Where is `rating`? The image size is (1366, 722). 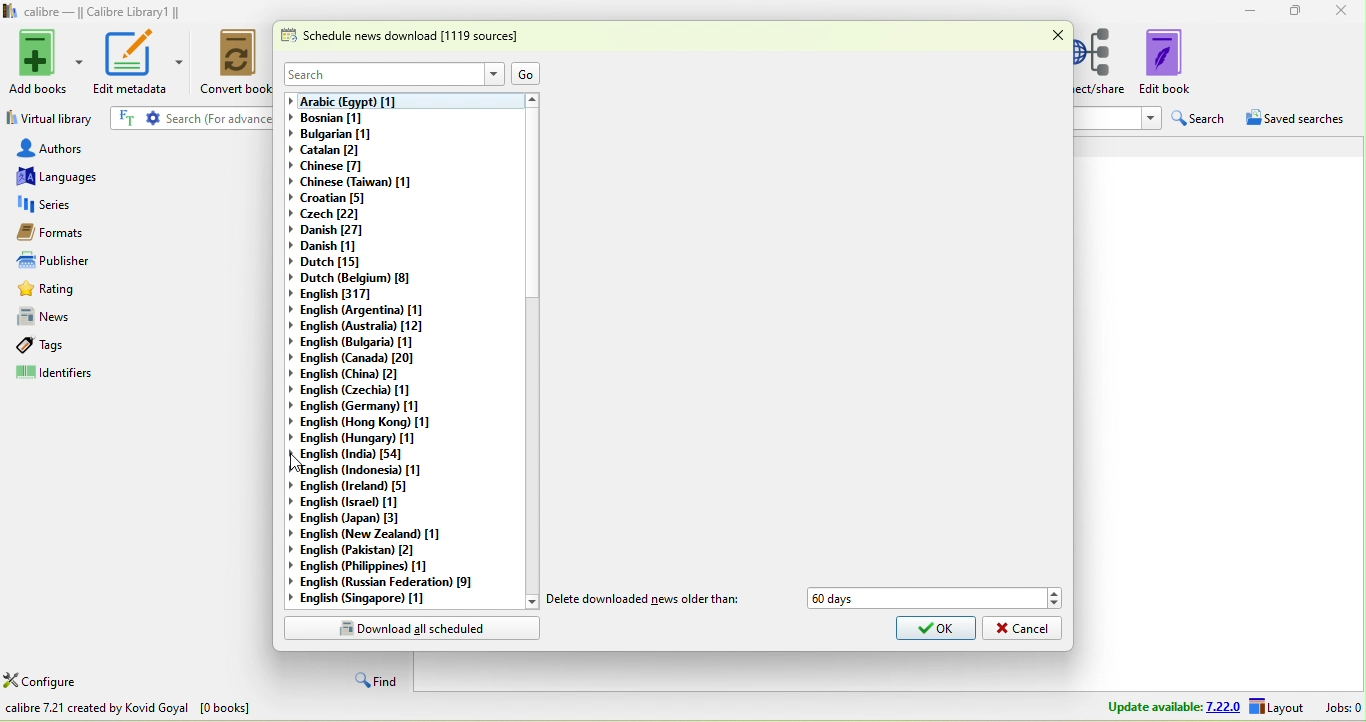
rating is located at coordinates (142, 290).